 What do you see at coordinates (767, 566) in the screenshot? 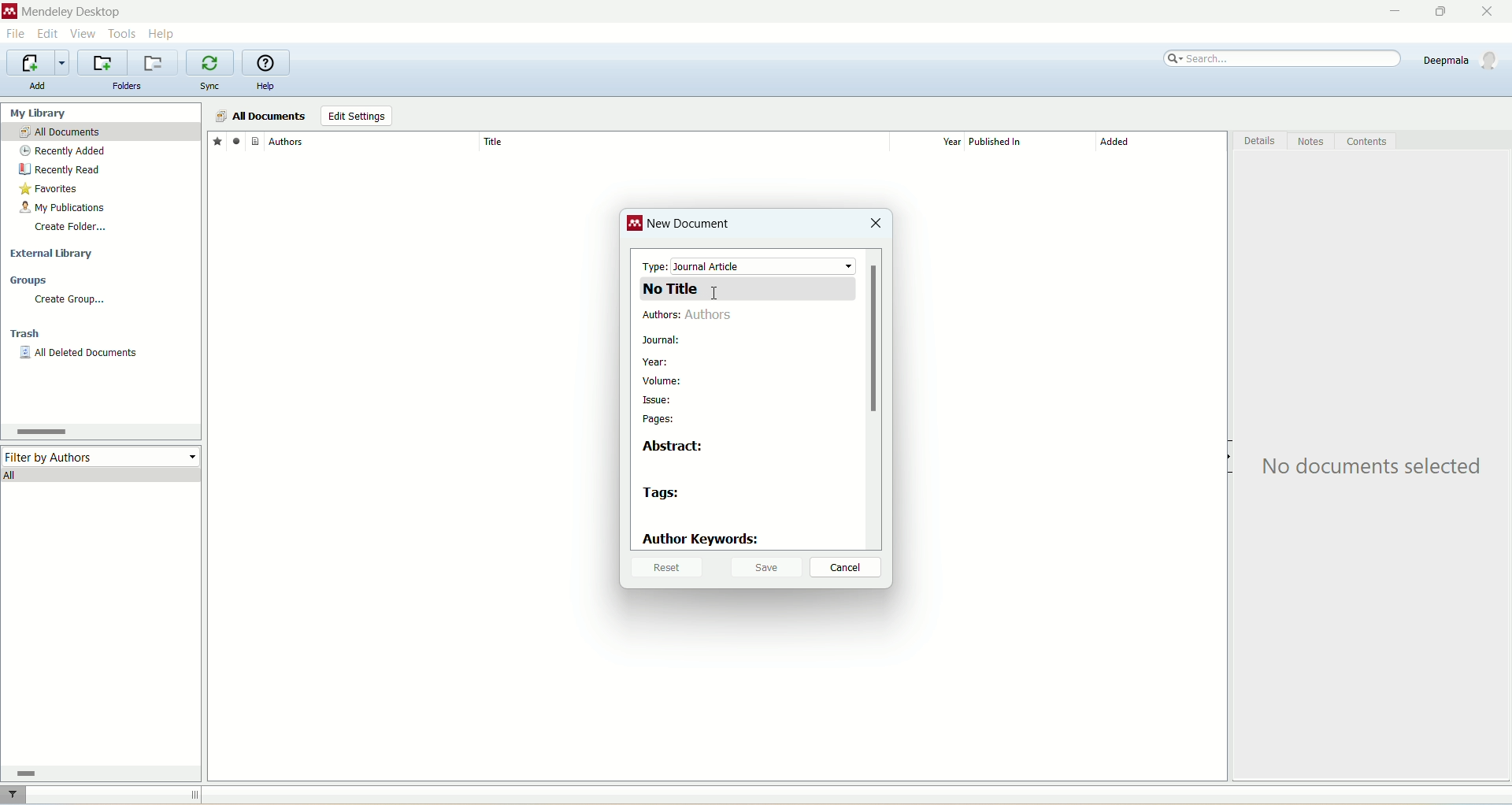
I see `save` at bounding box center [767, 566].